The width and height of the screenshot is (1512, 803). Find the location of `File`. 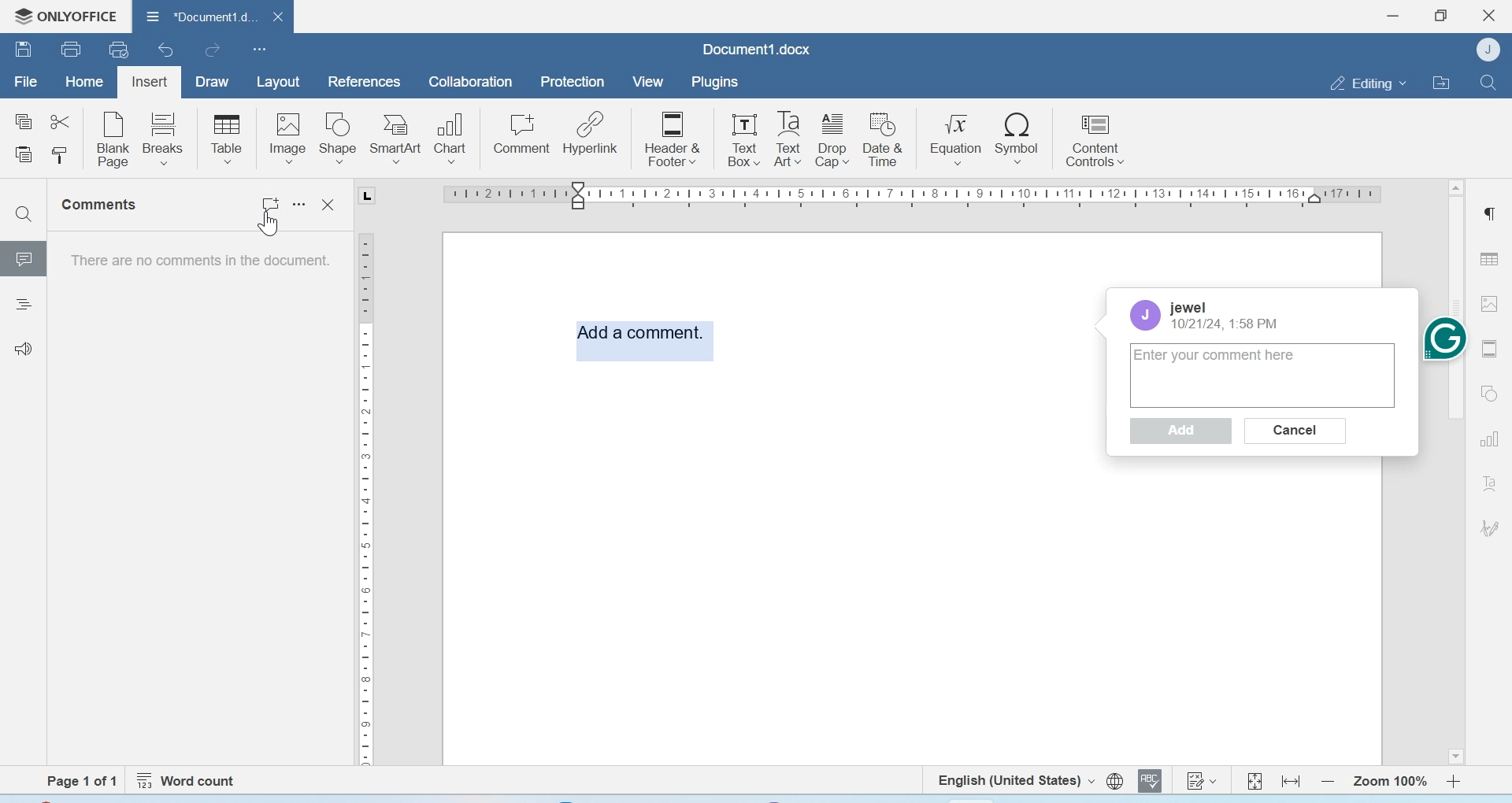

File is located at coordinates (25, 82).